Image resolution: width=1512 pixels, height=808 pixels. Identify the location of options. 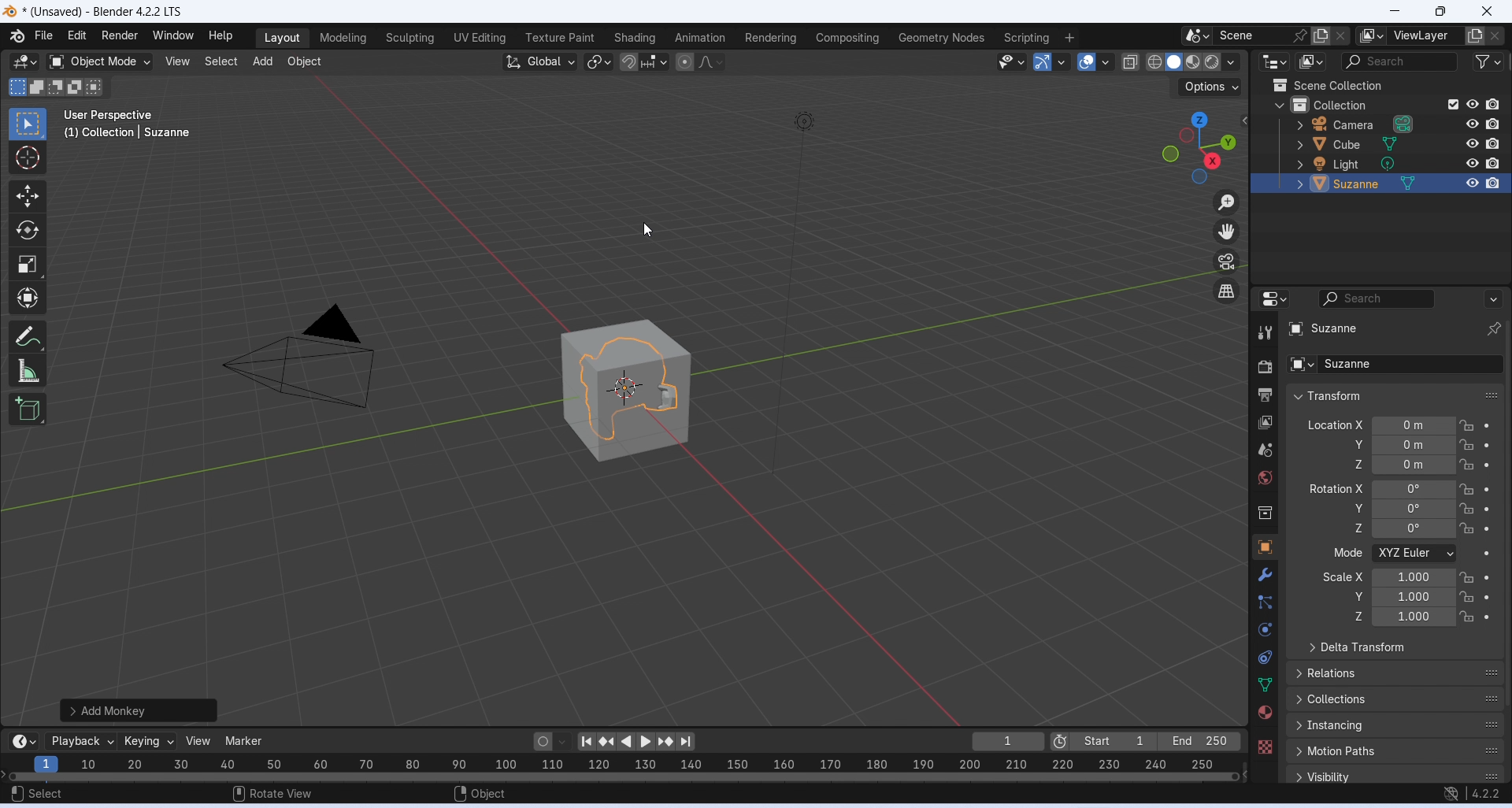
(1212, 87).